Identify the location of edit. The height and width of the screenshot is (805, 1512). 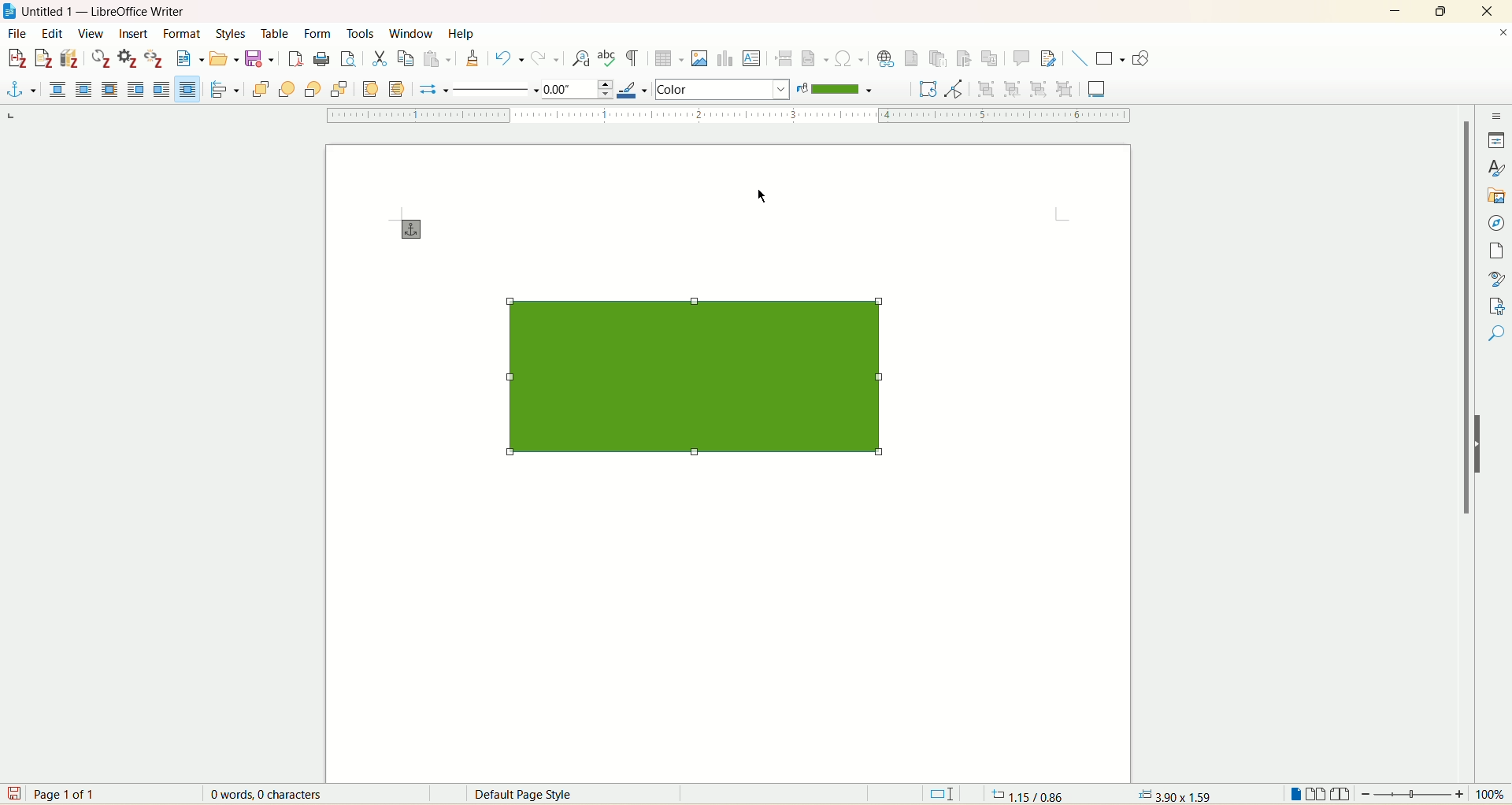
(50, 33).